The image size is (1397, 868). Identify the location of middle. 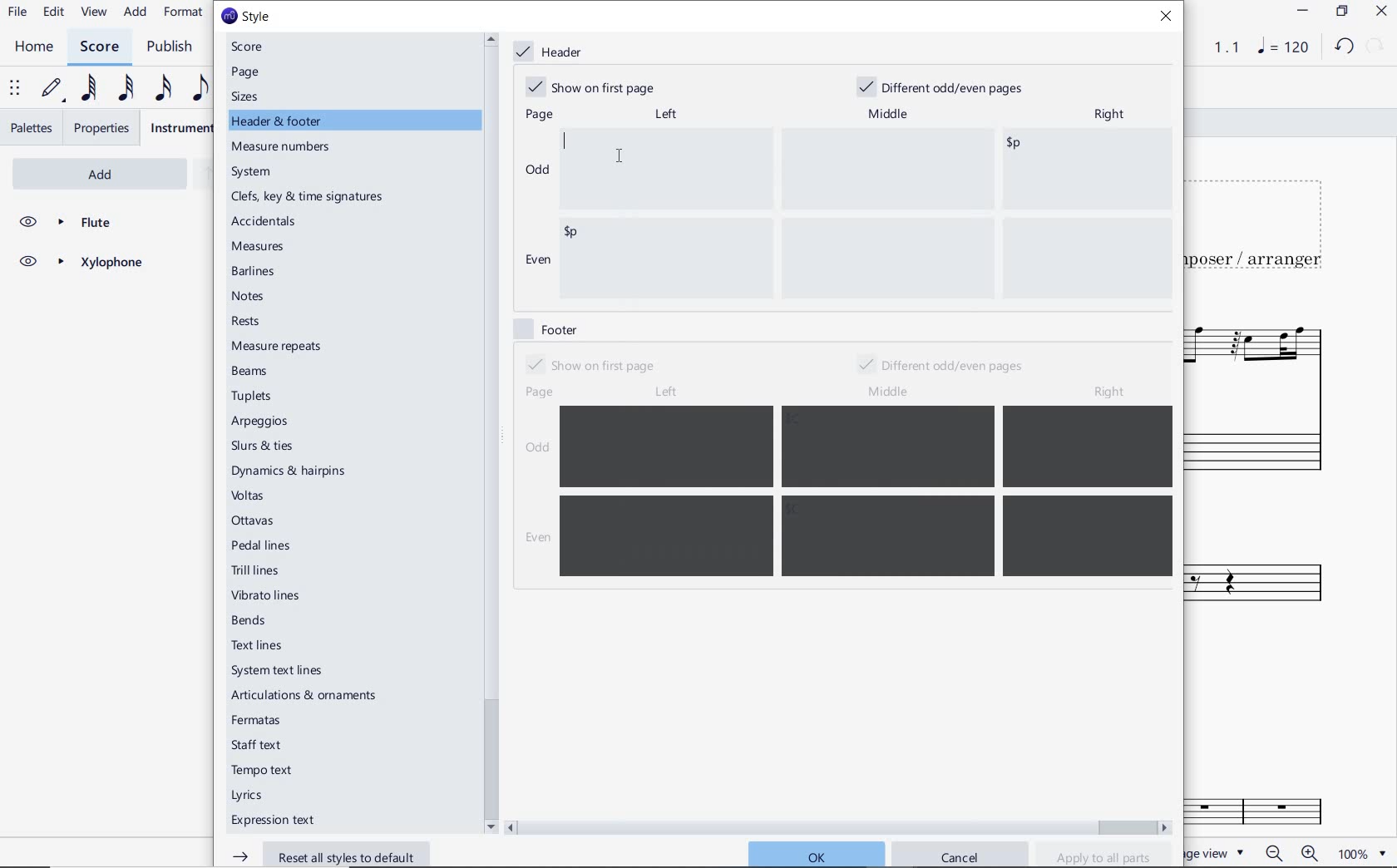
(890, 111).